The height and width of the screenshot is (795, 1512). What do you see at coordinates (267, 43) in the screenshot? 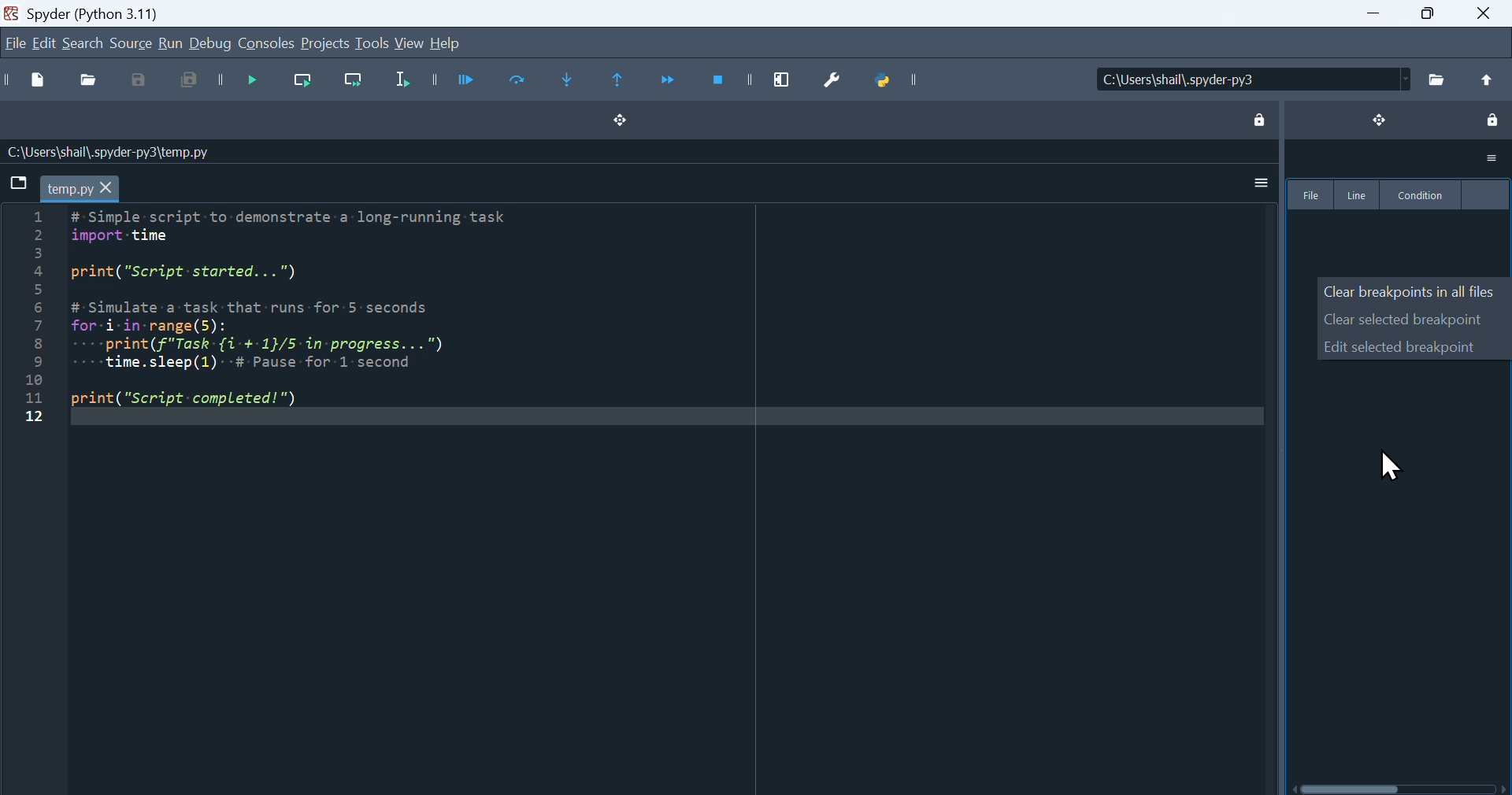
I see `Consoles` at bounding box center [267, 43].